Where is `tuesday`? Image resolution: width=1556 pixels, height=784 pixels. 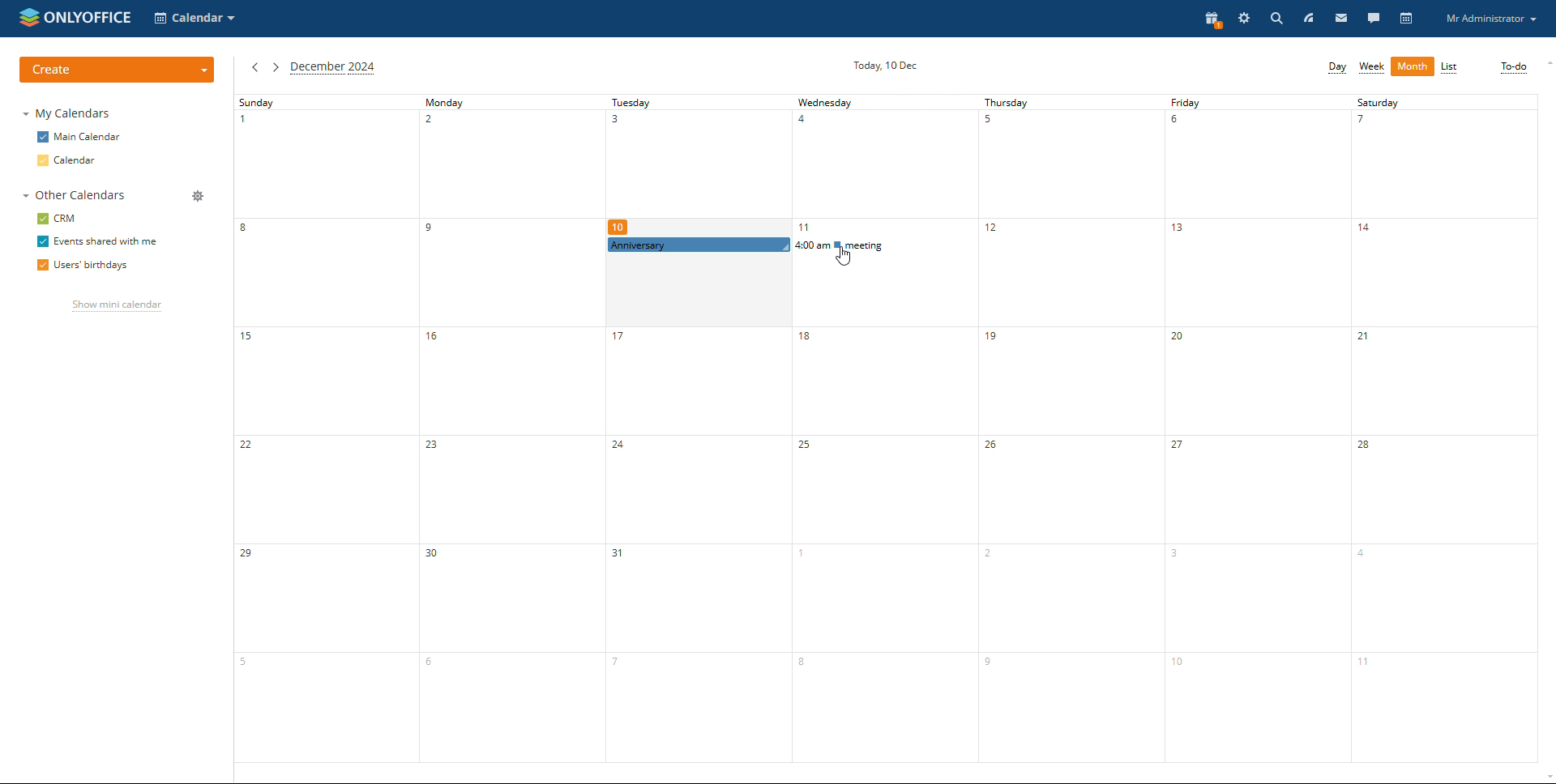 tuesday is located at coordinates (697, 513).